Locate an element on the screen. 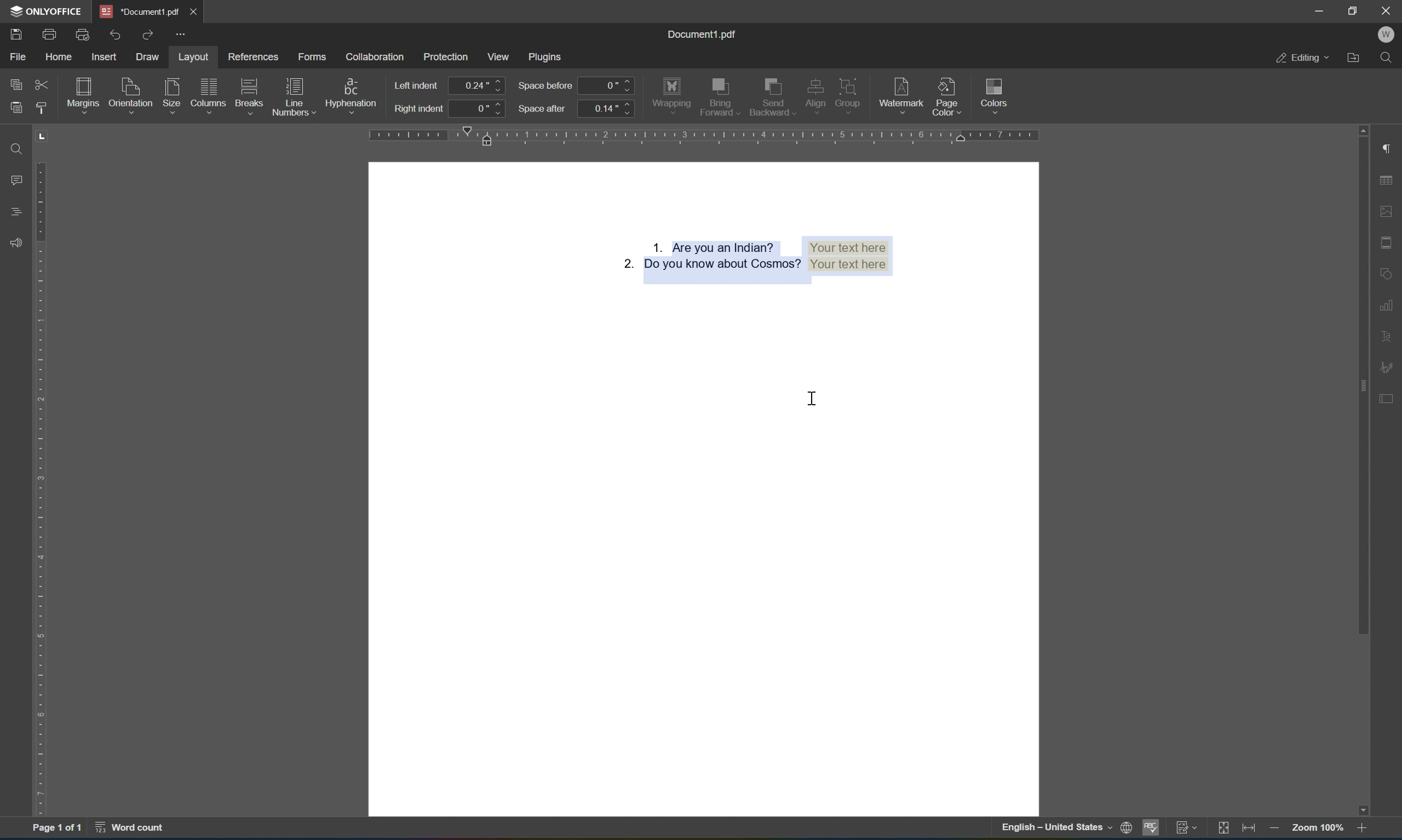  columns is located at coordinates (208, 94).